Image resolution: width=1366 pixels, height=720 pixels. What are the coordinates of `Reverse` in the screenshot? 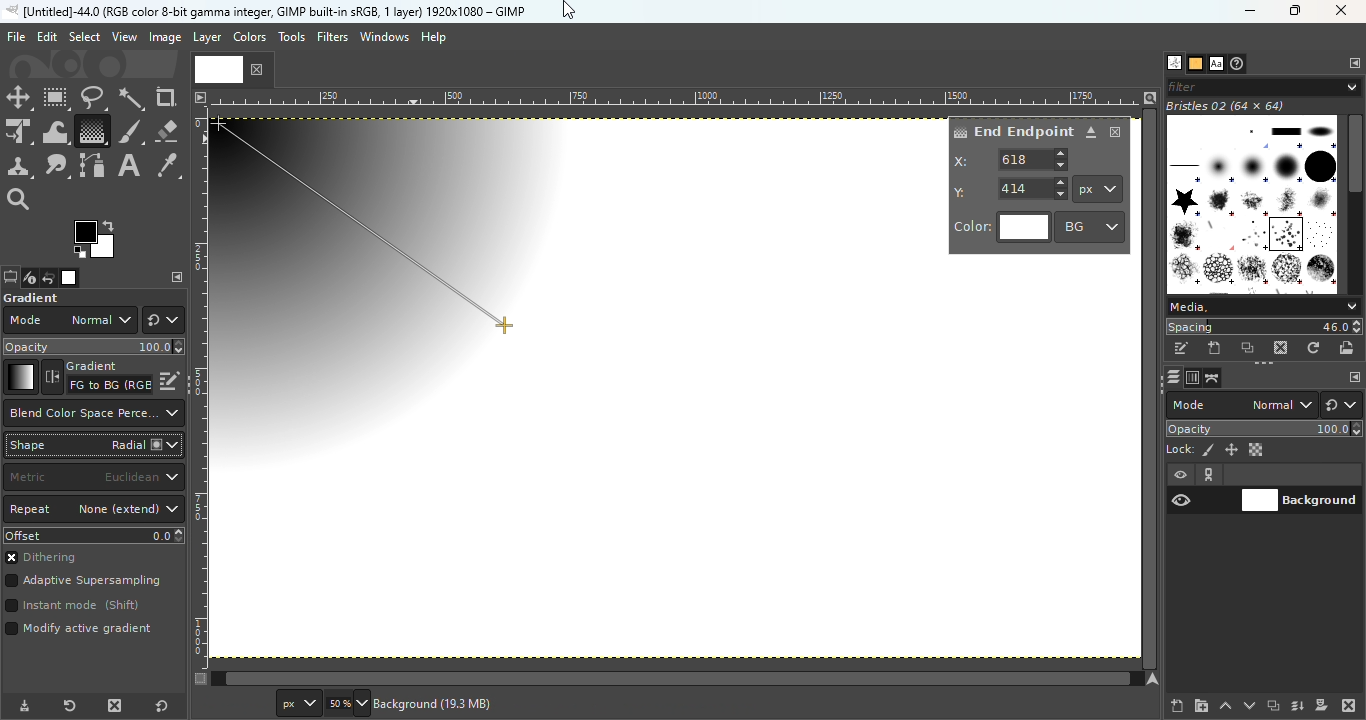 It's located at (97, 377).